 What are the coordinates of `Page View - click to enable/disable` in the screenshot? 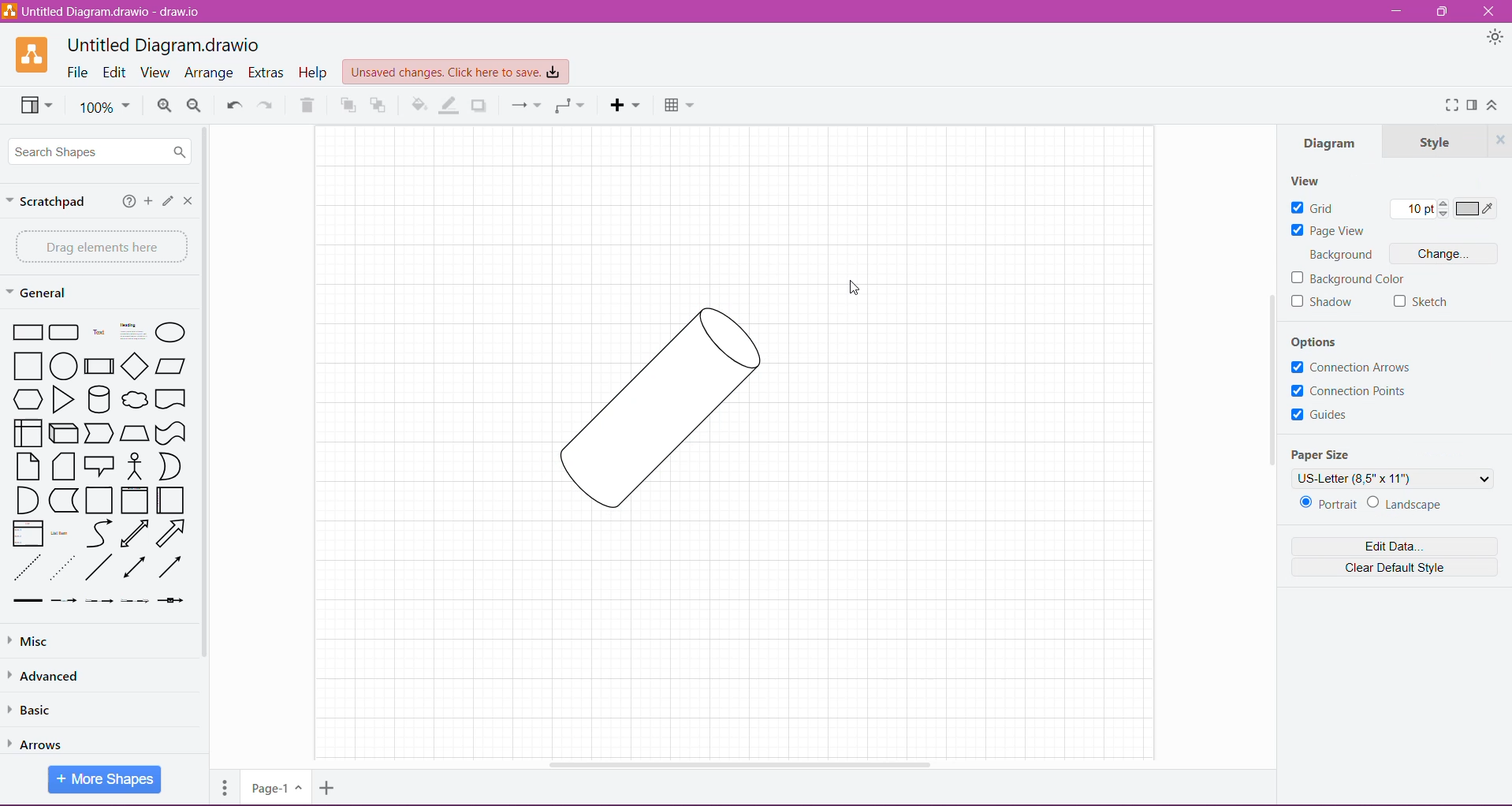 It's located at (1328, 231).